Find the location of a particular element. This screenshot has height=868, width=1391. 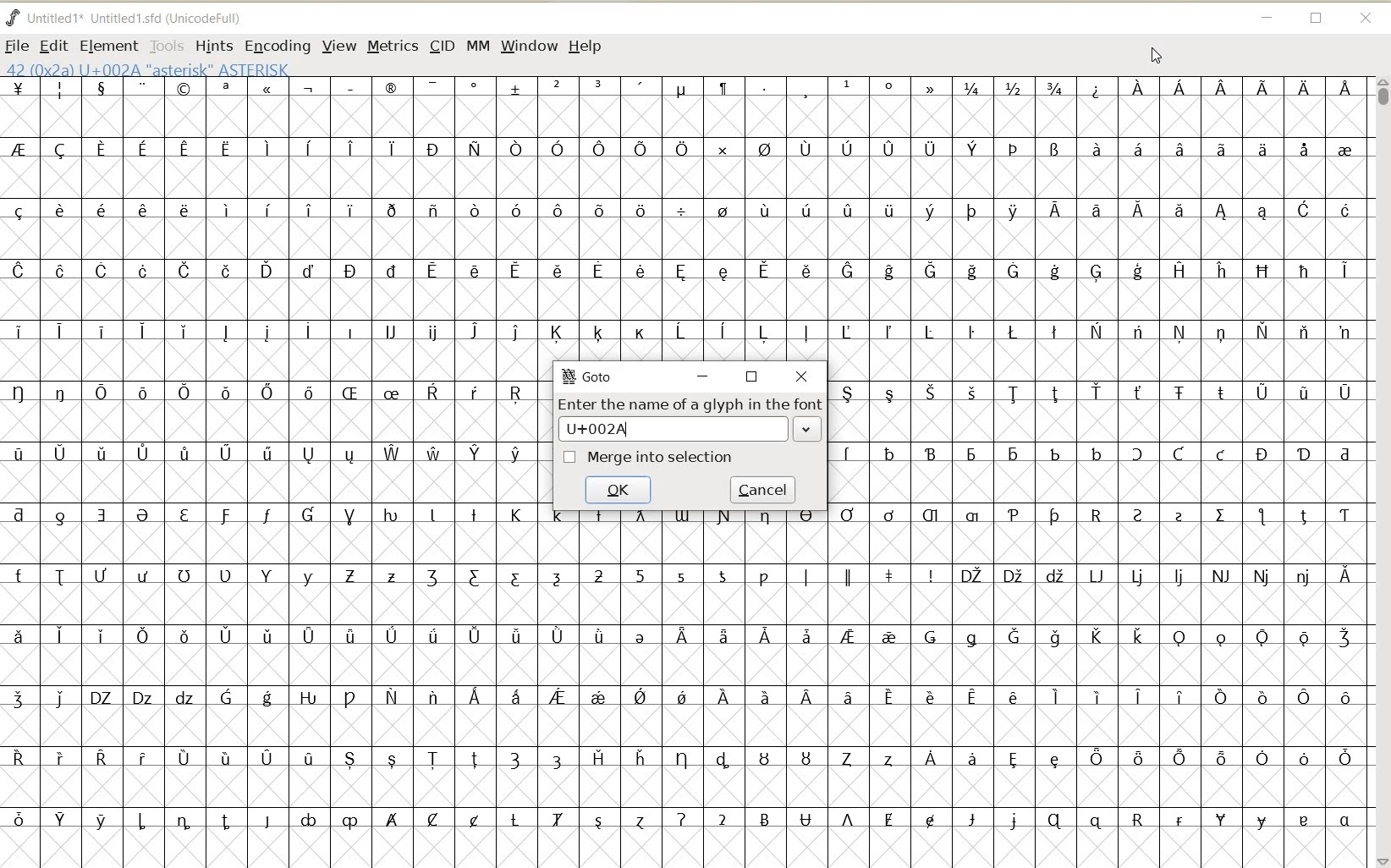

MM is located at coordinates (477, 47).